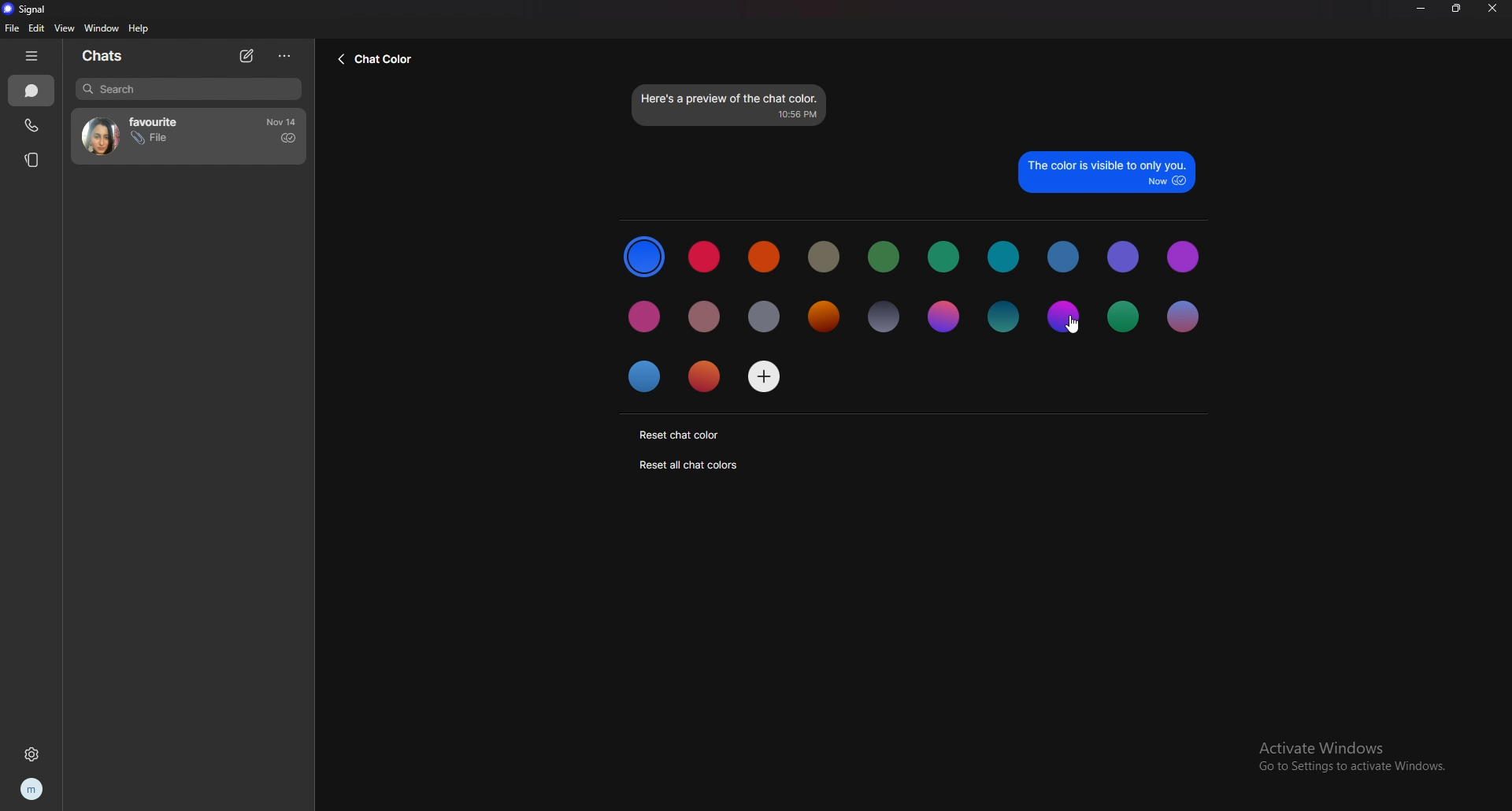 This screenshot has width=1512, height=811. I want to click on color, so click(943, 257).